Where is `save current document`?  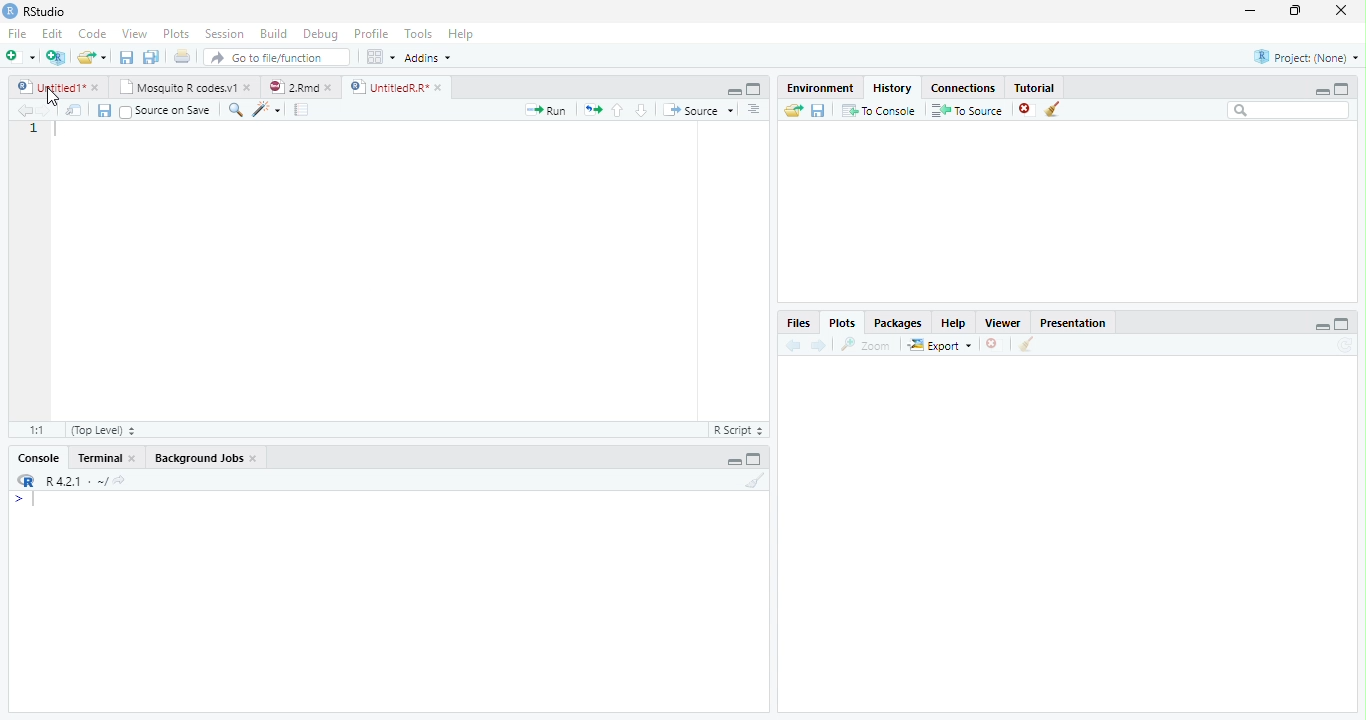 save current document is located at coordinates (125, 57).